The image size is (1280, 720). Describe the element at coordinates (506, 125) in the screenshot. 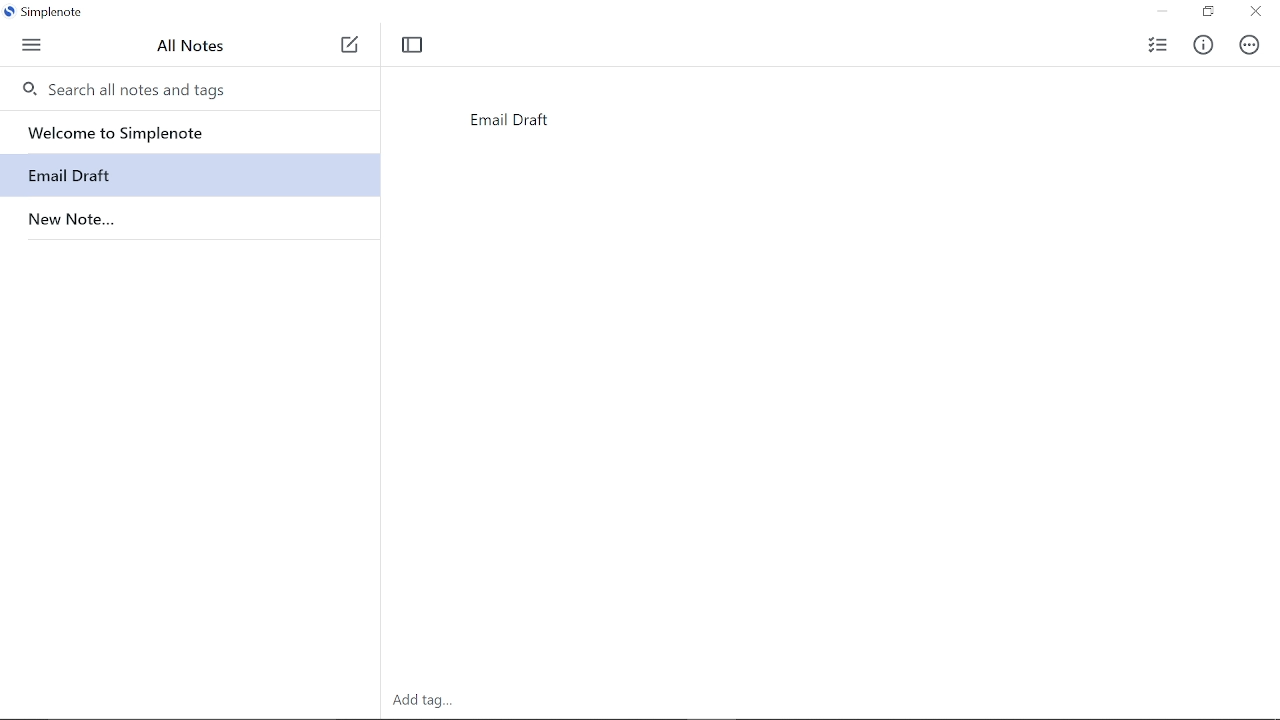

I see `Note title "Email Draft"` at that location.